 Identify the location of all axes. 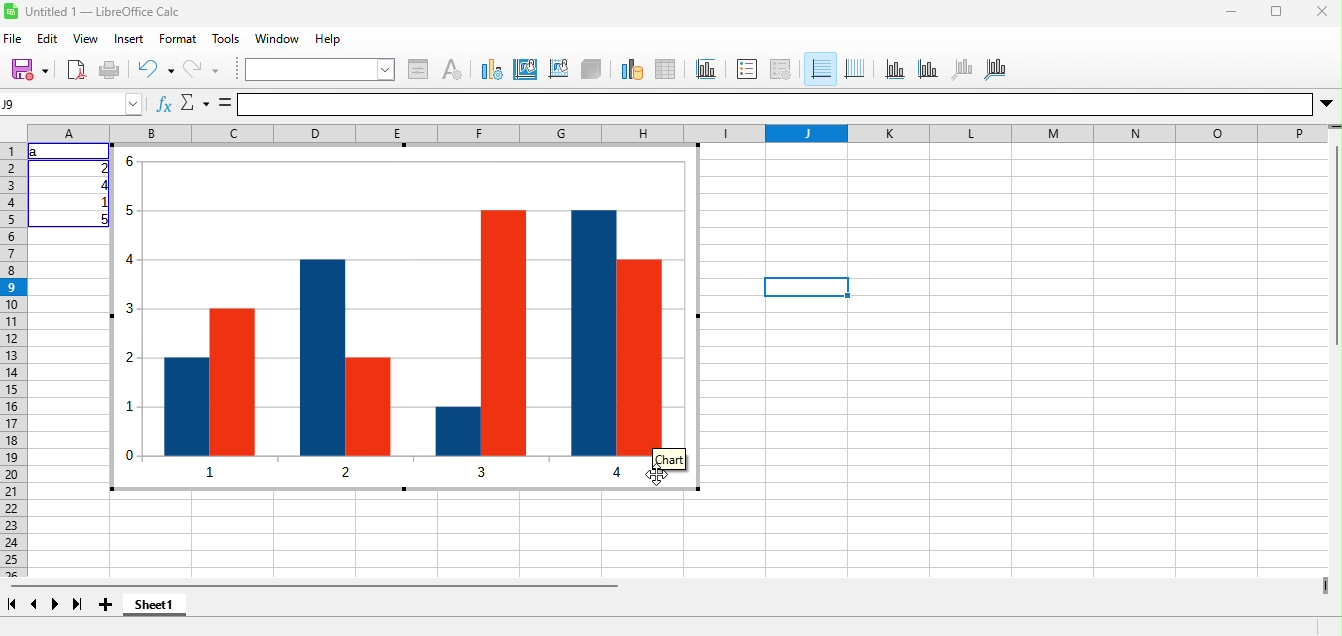
(995, 70).